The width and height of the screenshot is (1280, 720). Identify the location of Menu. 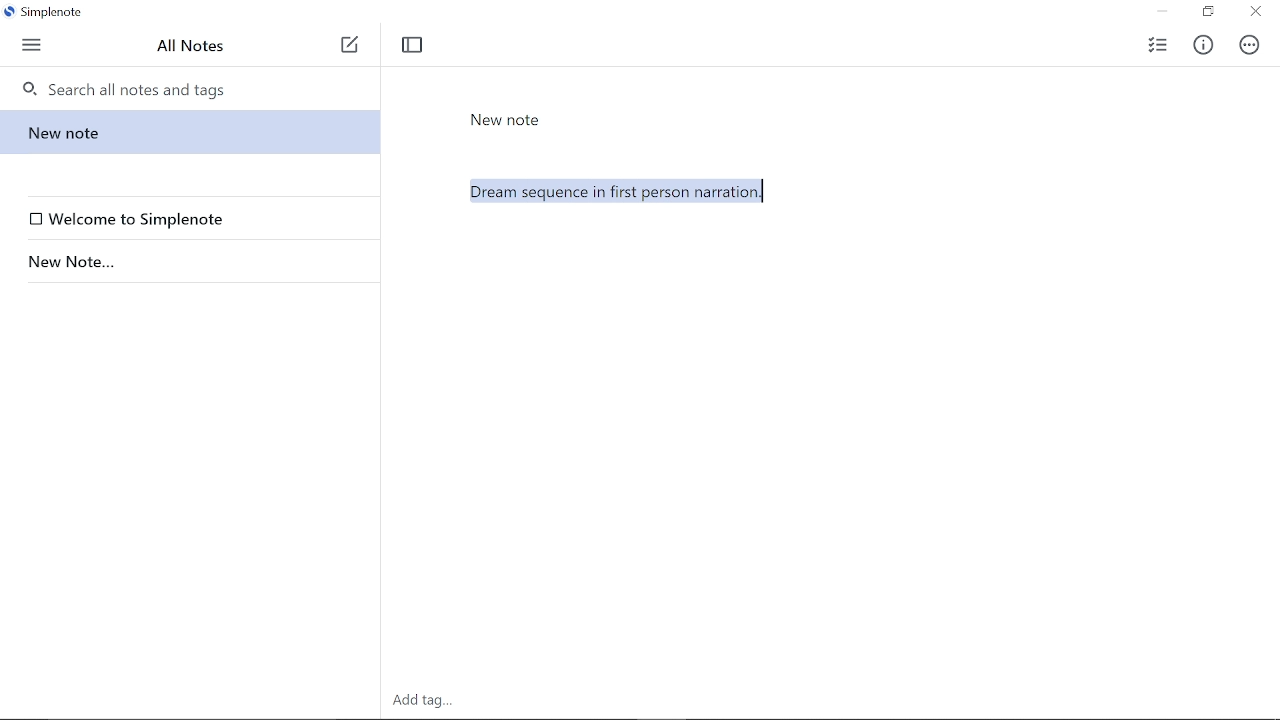
(33, 43).